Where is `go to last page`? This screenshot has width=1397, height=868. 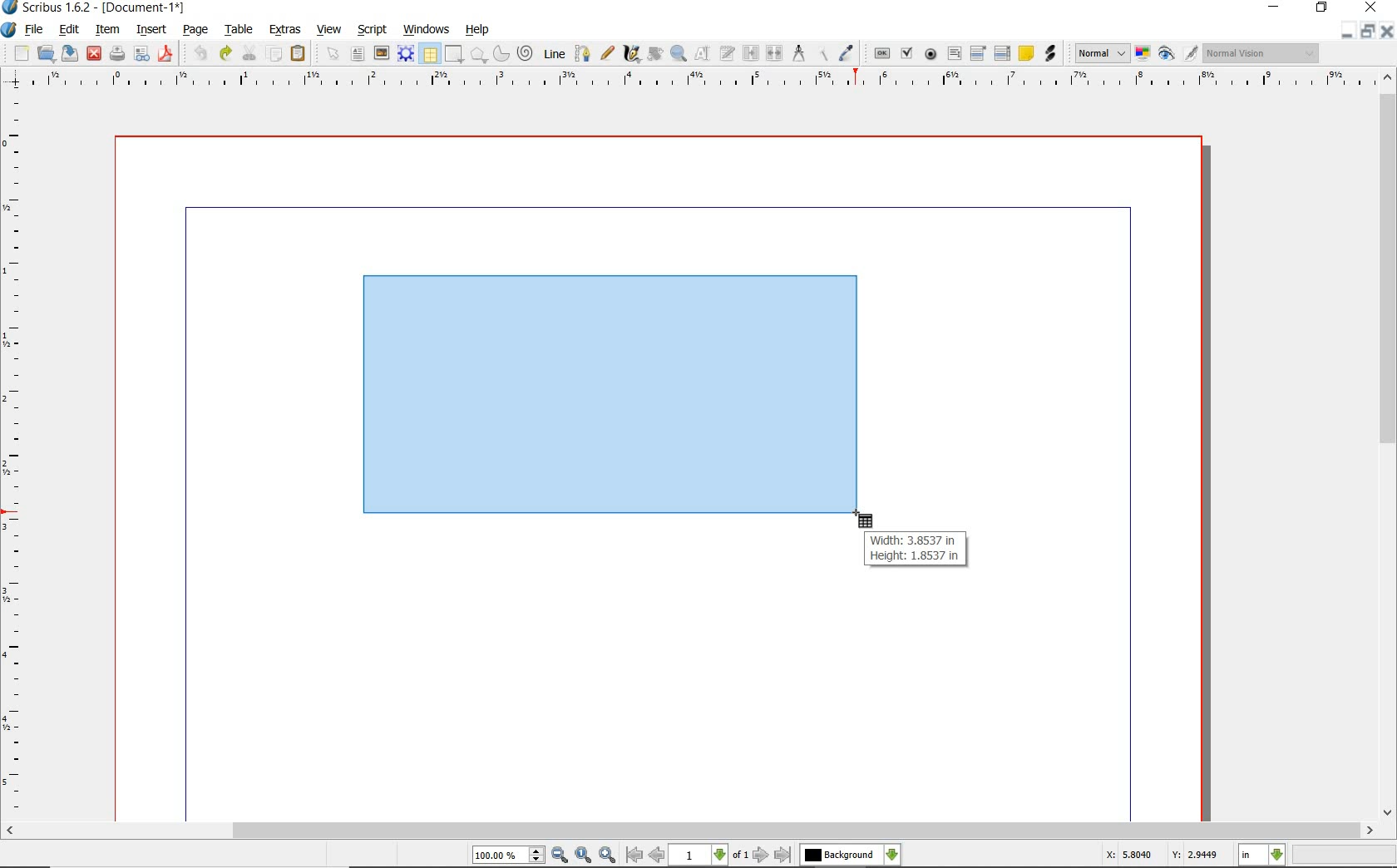
go to last page is located at coordinates (784, 855).